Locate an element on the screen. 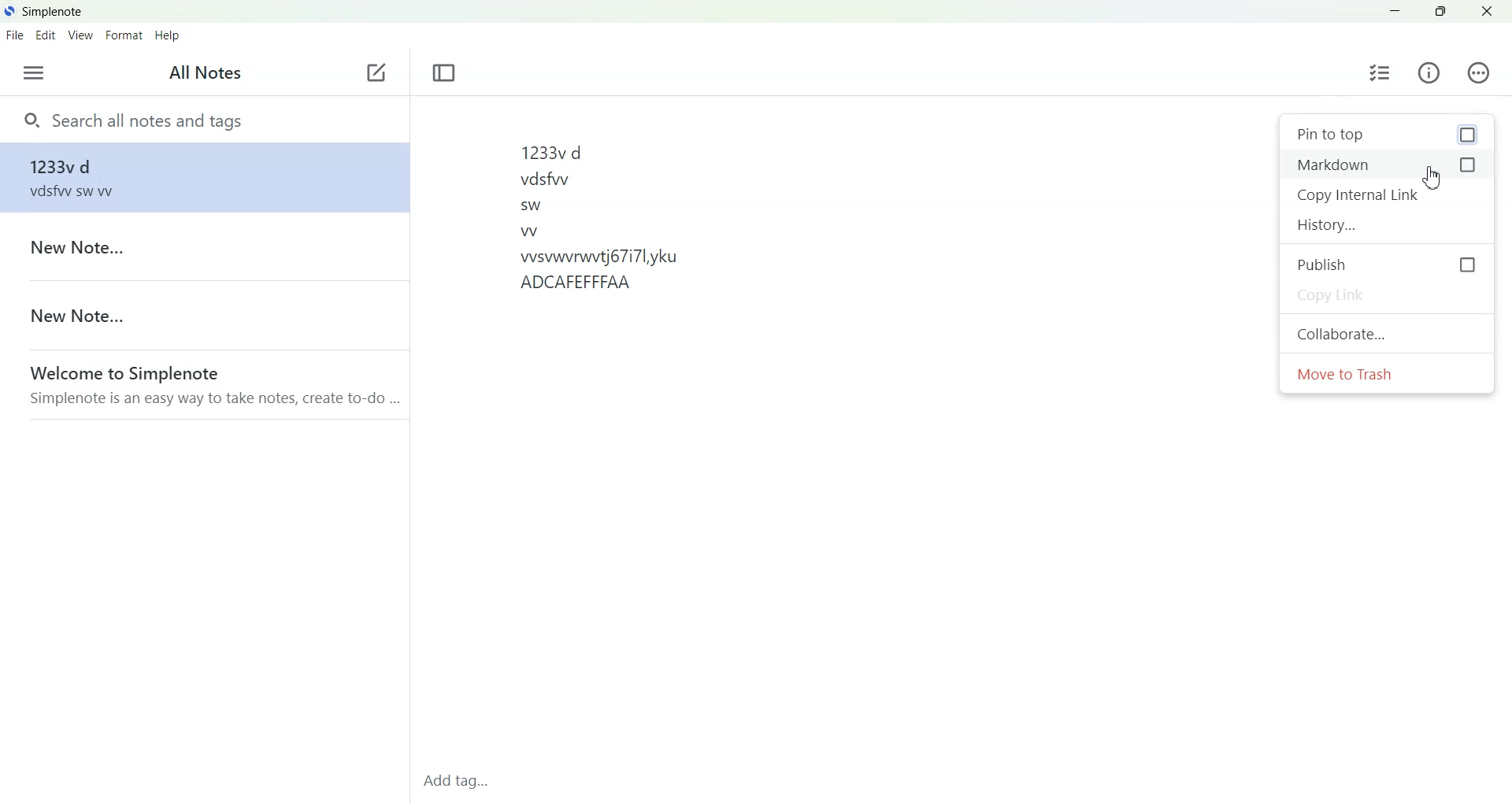  Note file - 1233v d is located at coordinates (202, 177).